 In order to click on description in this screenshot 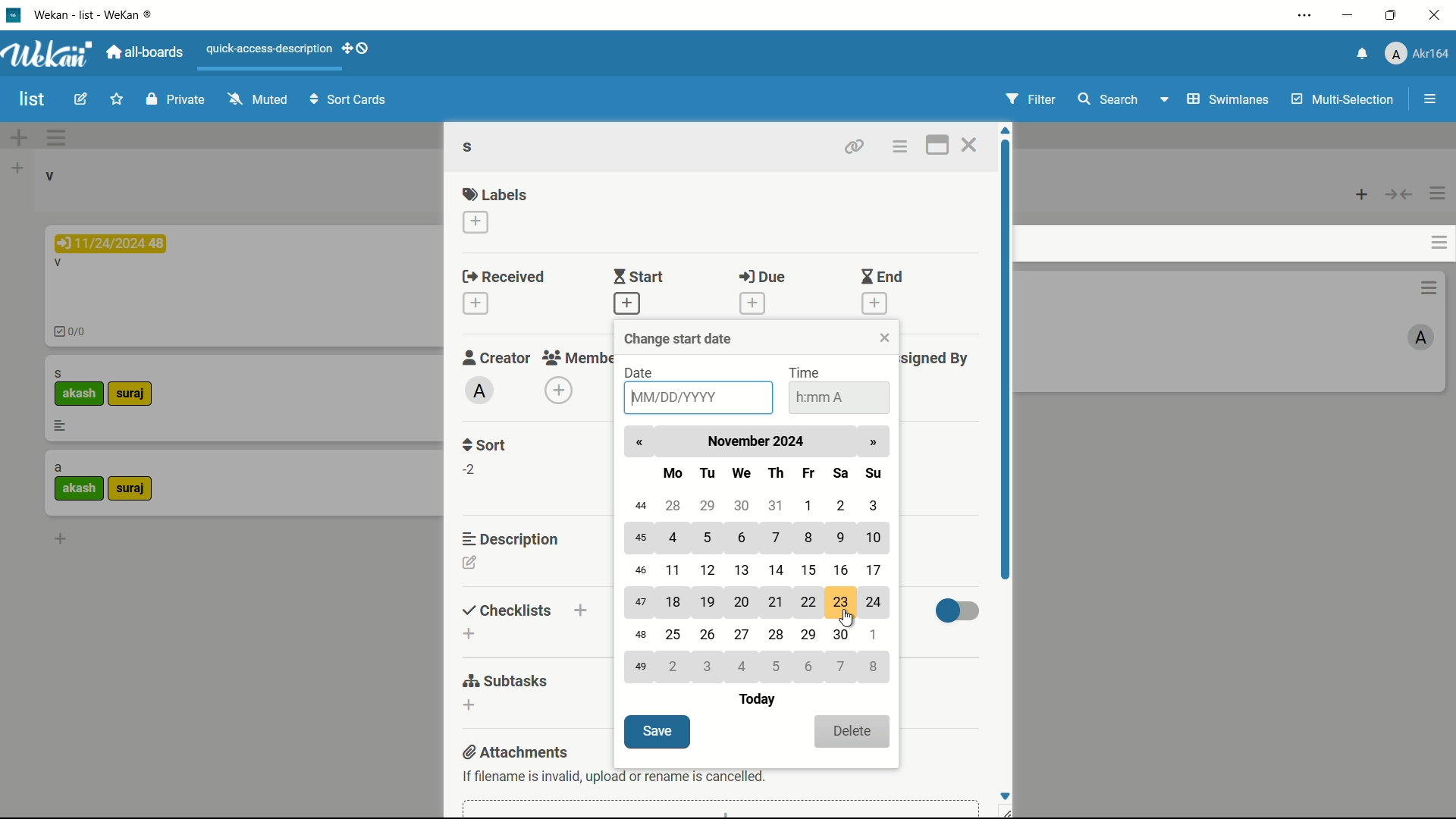, I will do `click(60, 425)`.